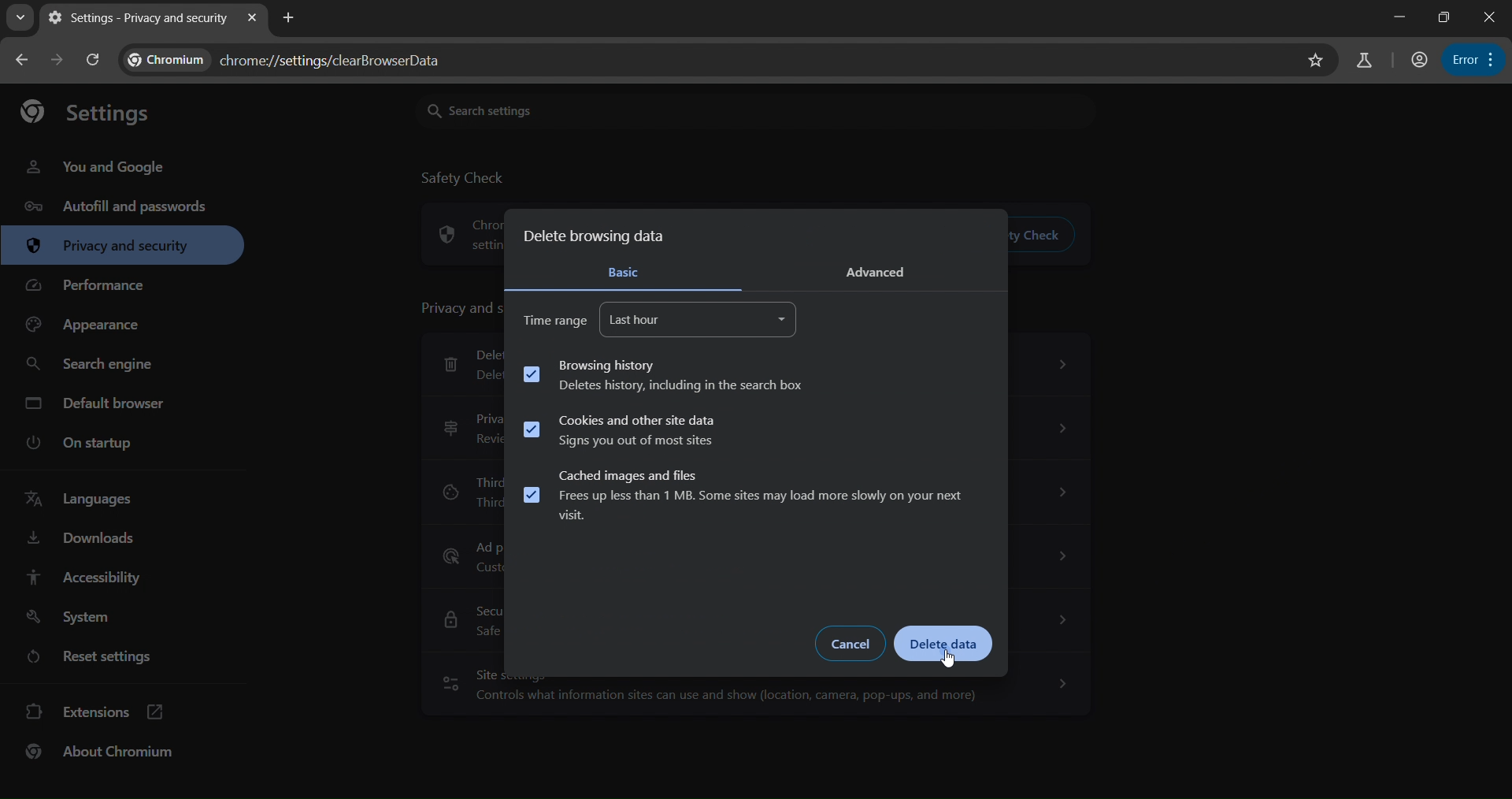 This screenshot has height=799, width=1512. Describe the element at coordinates (1473, 60) in the screenshot. I see `menu` at that location.